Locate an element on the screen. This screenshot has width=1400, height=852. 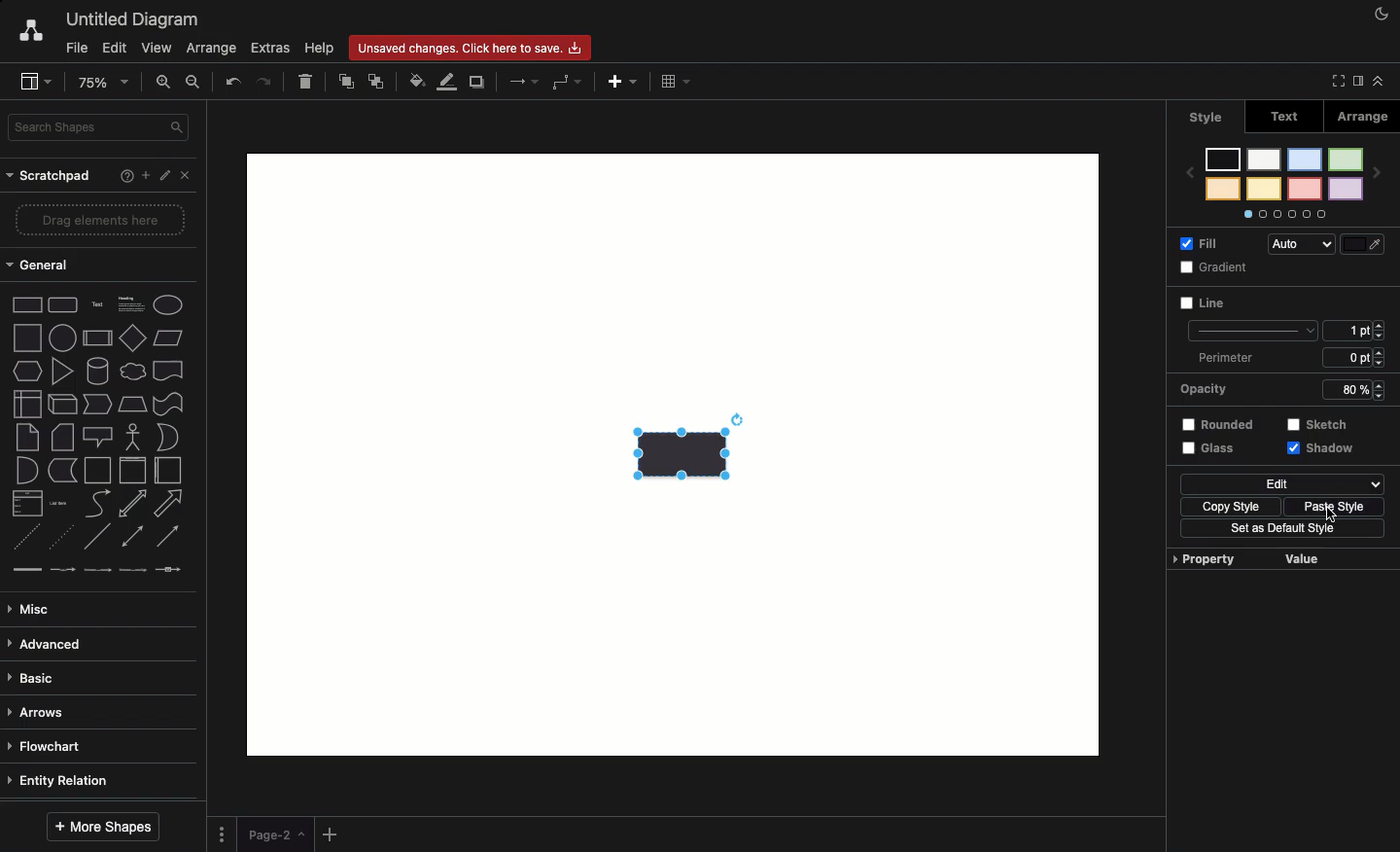
Scratchpad is located at coordinates (48, 179).